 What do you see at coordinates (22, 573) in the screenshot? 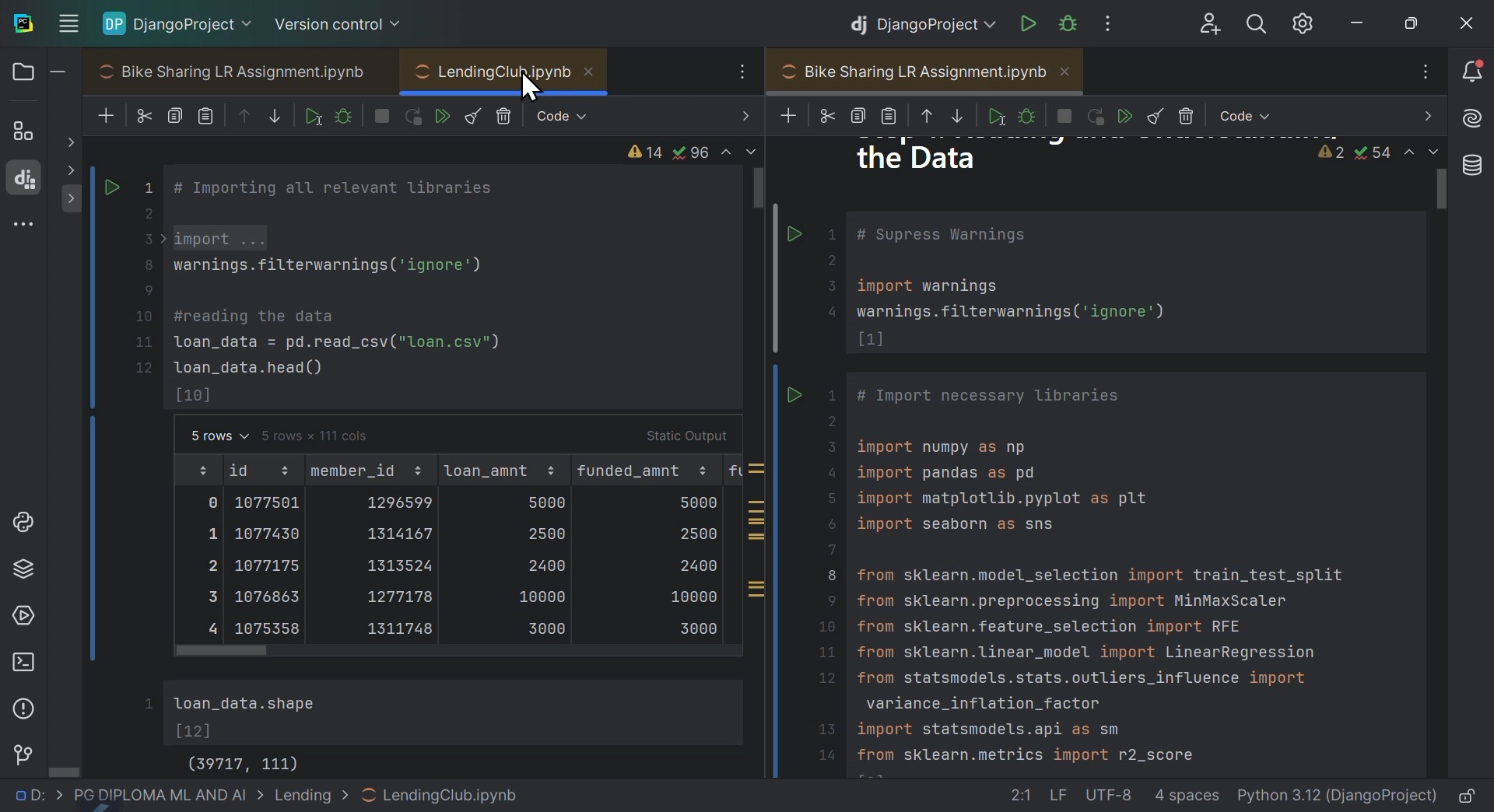
I see `Python packages` at bounding box center [22, 573].